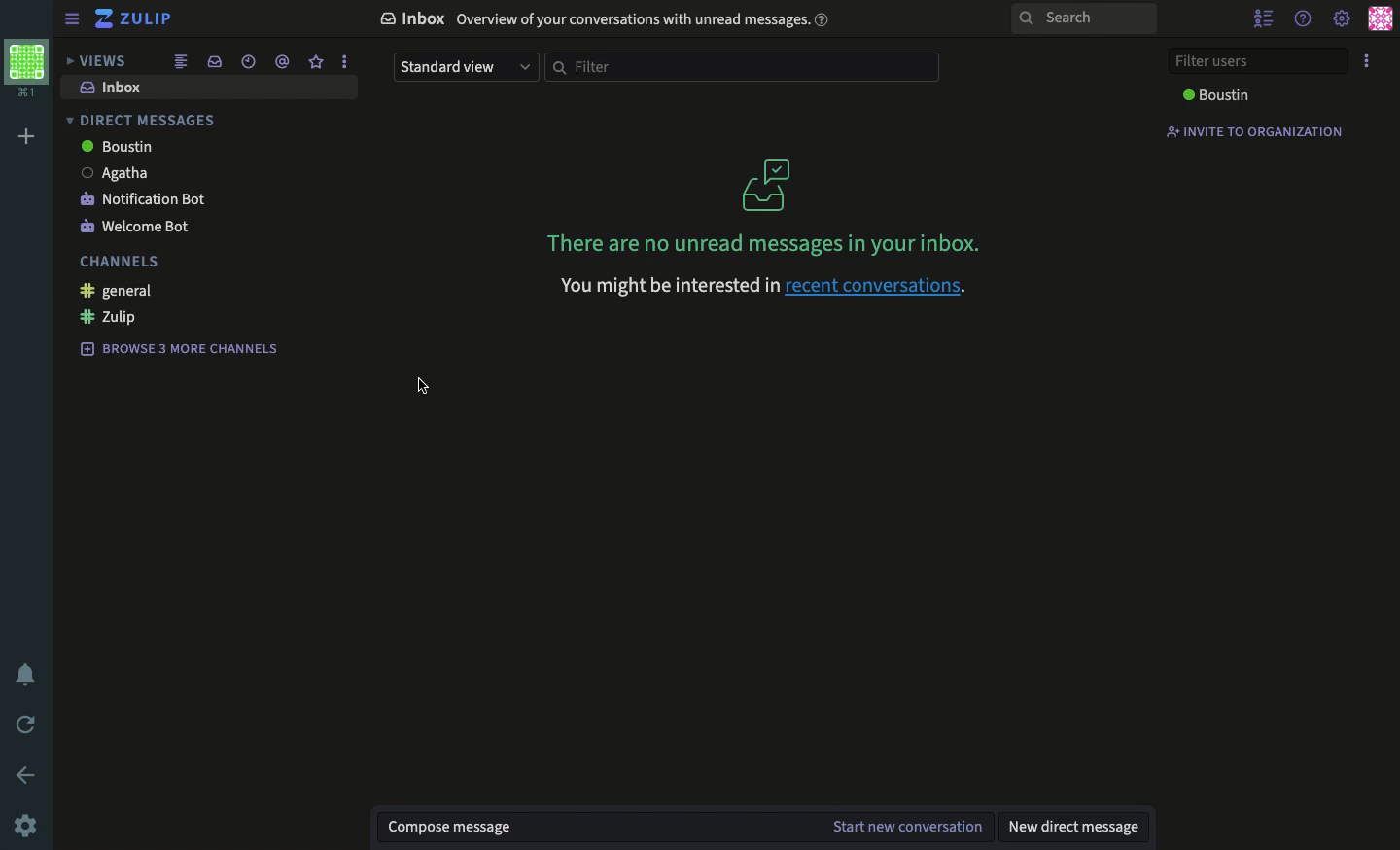  Describe the element at coordinates (1381, 18) in the screenshot. I see `user profile` at that location.